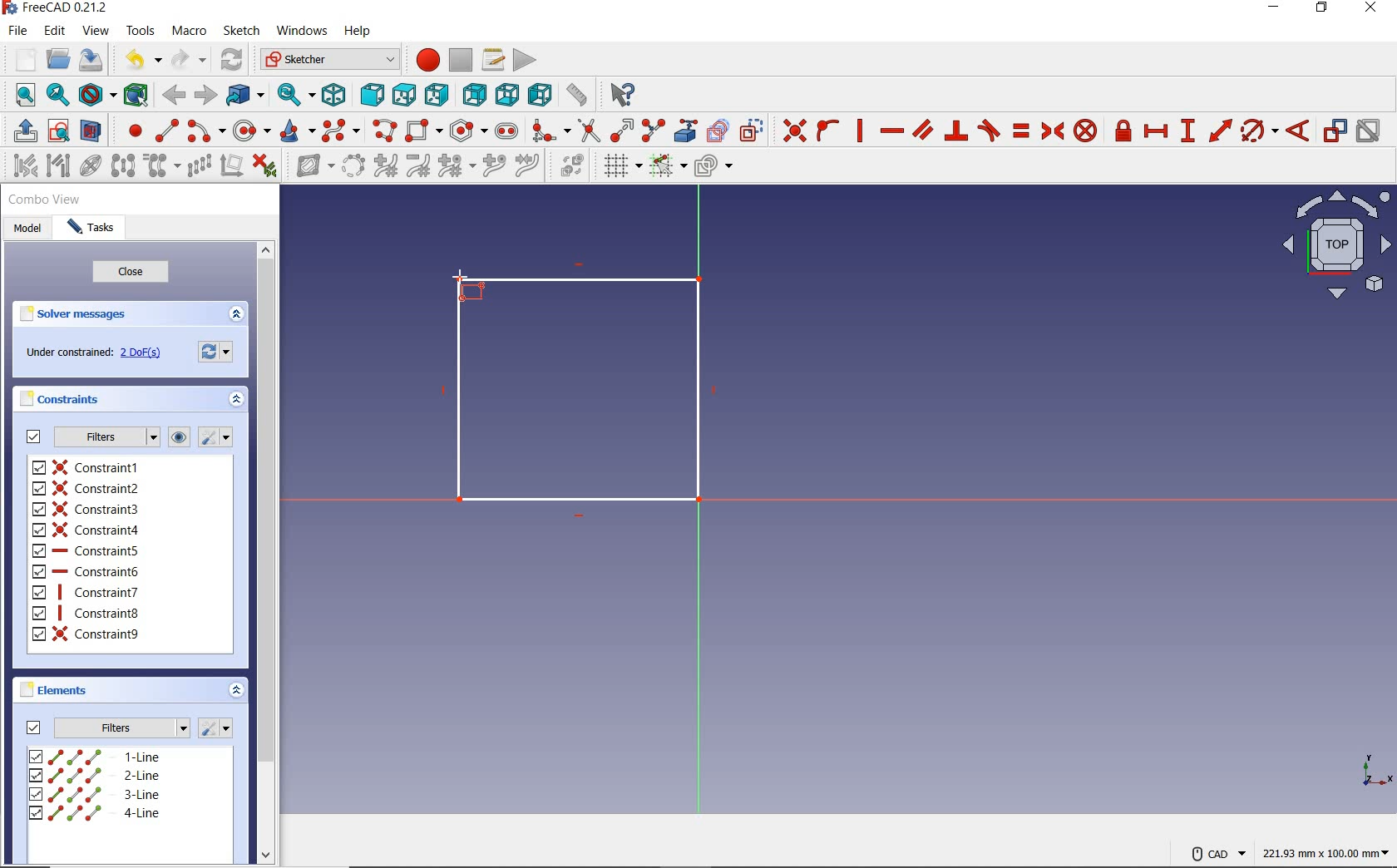  I want to click on back, so click(176, 95).